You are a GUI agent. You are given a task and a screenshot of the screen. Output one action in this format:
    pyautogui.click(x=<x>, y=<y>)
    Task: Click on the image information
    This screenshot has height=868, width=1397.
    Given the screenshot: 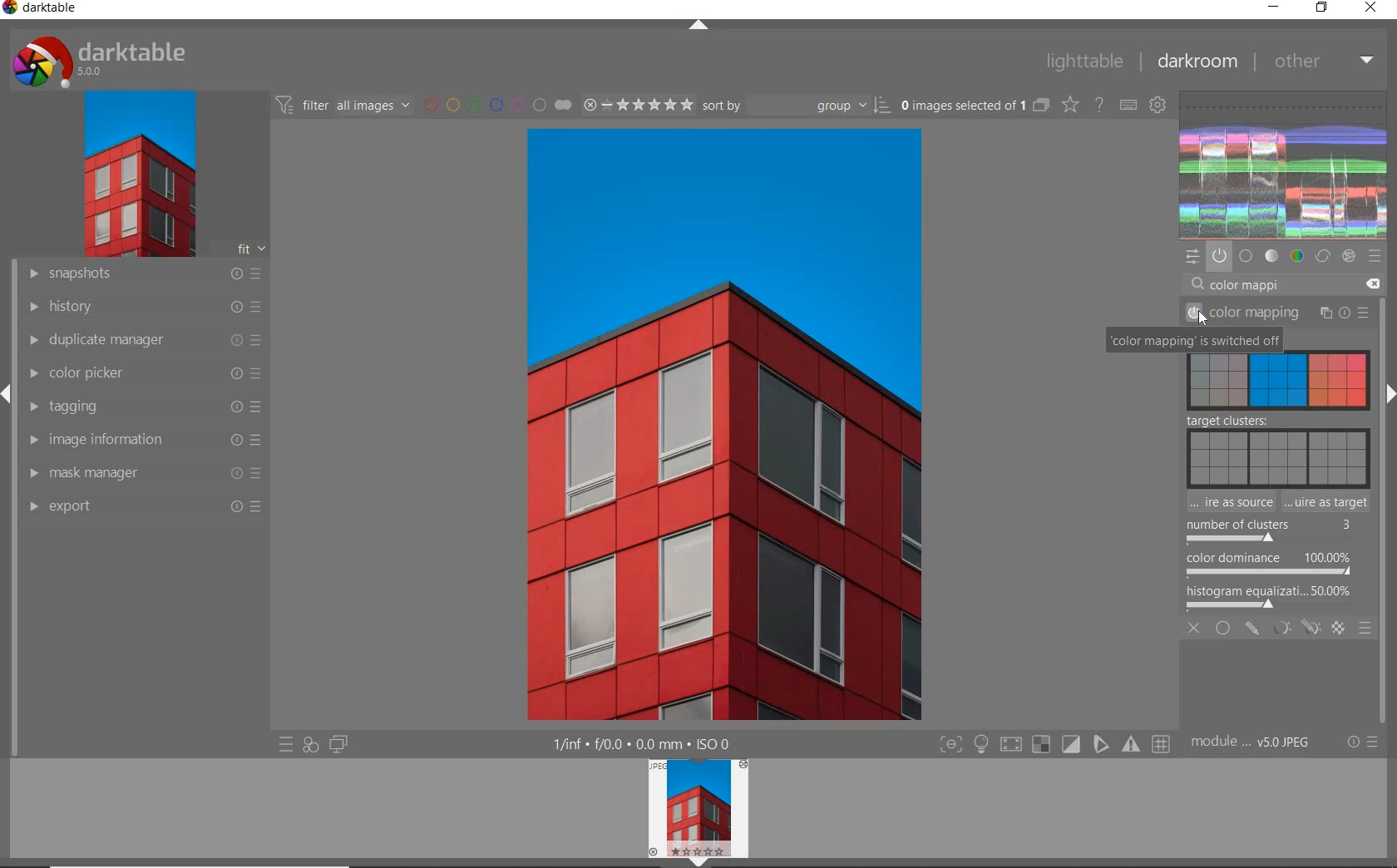 What is the action you would take?
    pyautogui.click(x=143, y=440)
    